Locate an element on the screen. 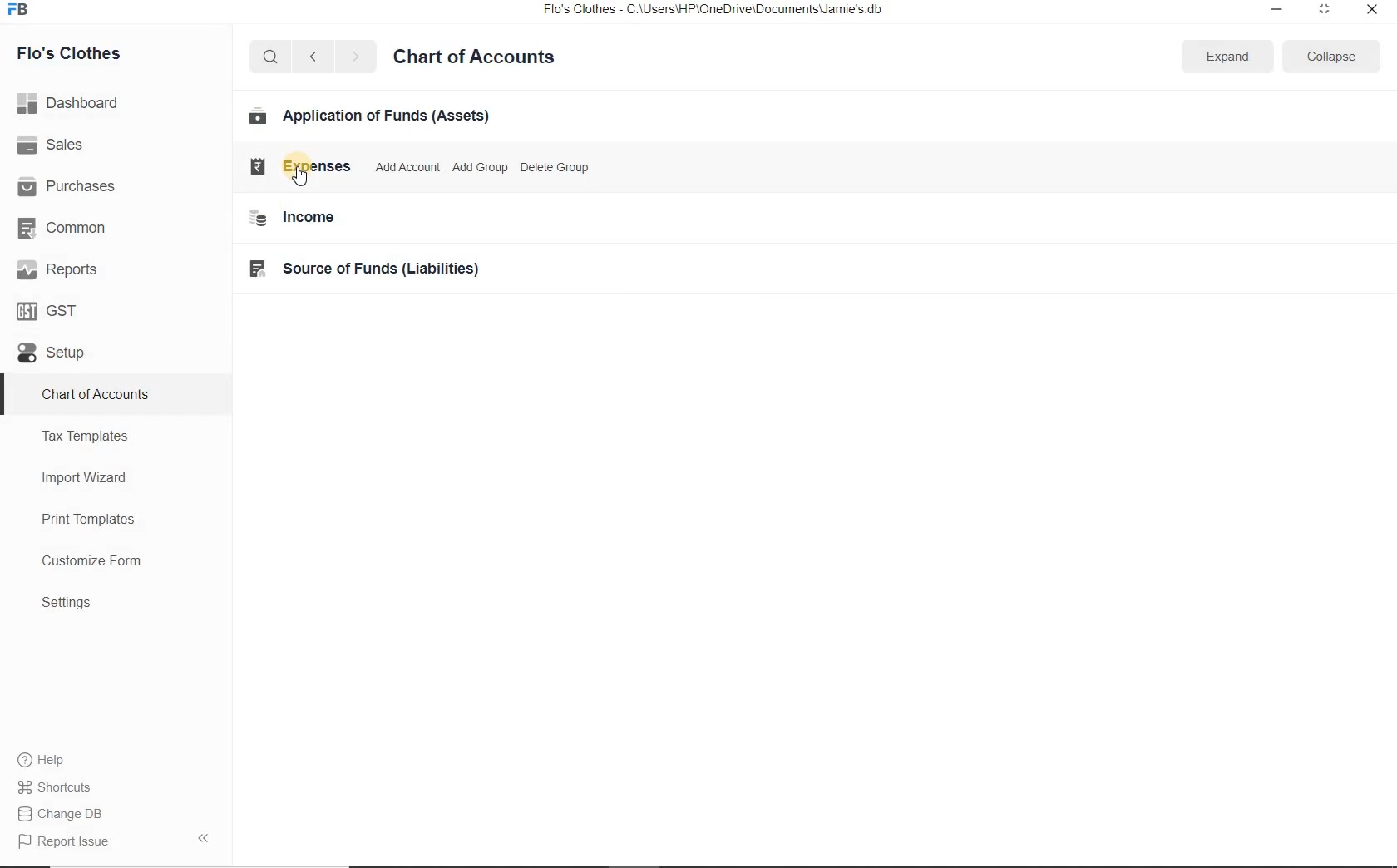 The width and height of the screenshot is (1397, 868). Import Wizard is located at coordinates (86, 477).